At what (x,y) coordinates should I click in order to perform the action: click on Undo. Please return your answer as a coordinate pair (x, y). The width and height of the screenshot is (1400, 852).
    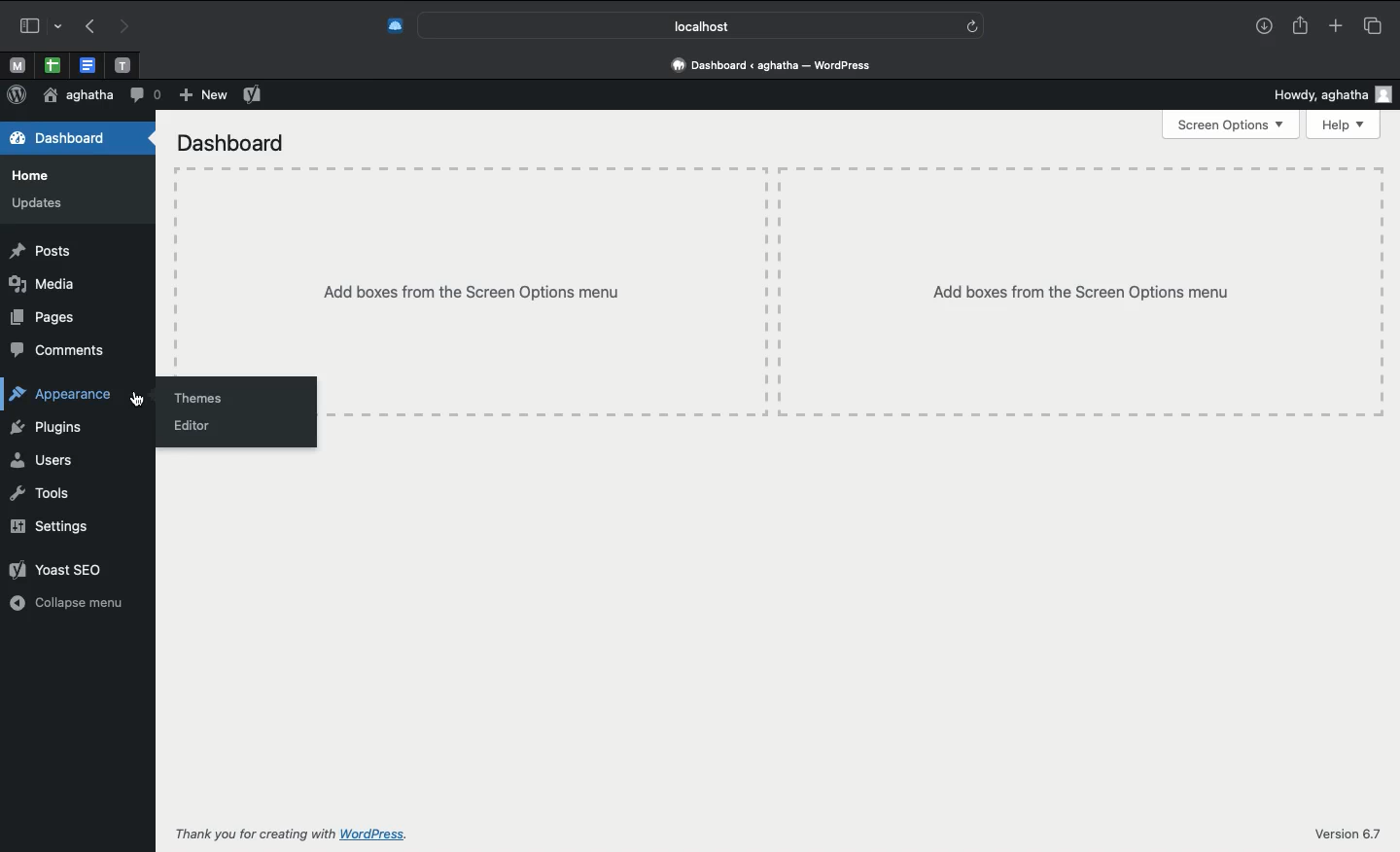
    Looking at the image, I should click on (90, 25).